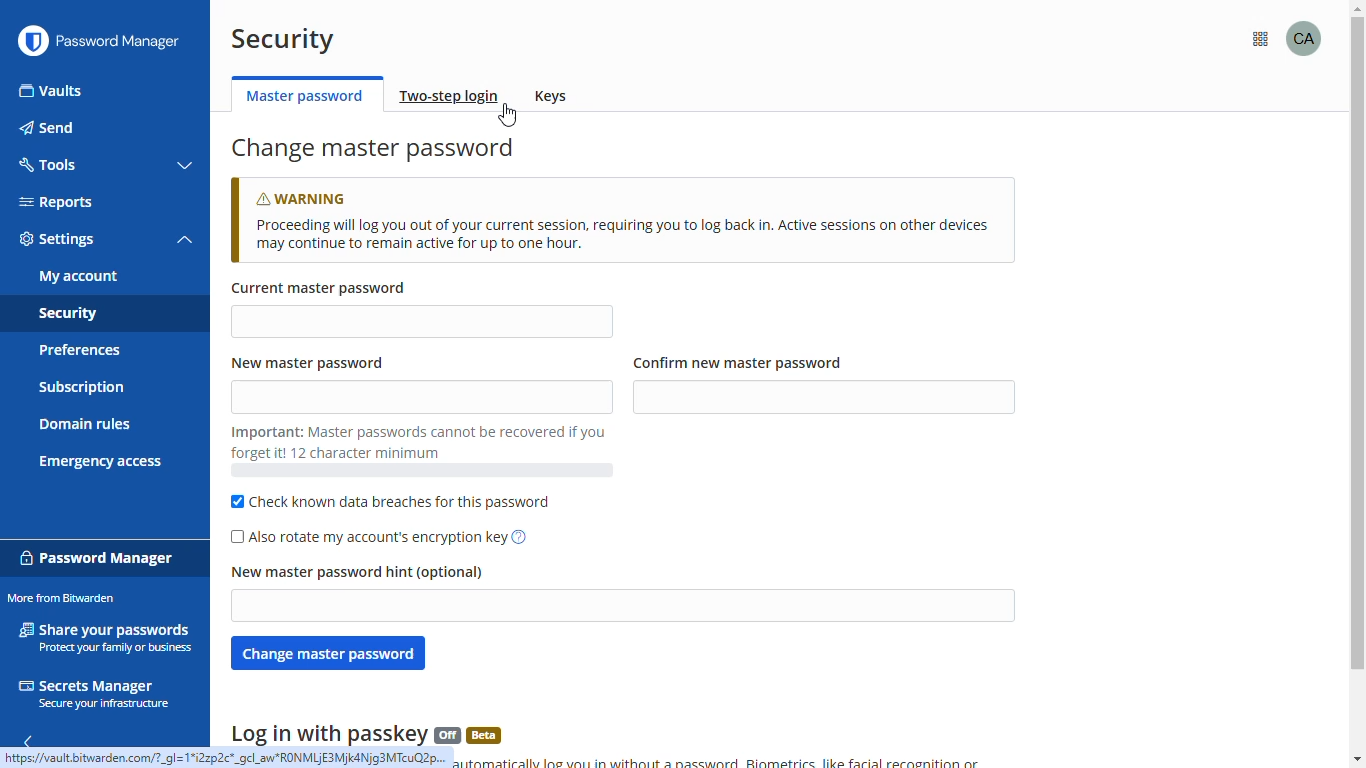  Describe the element at coordinates (60, 598) in the screenshot. I see `more from bitwarden` at that location.